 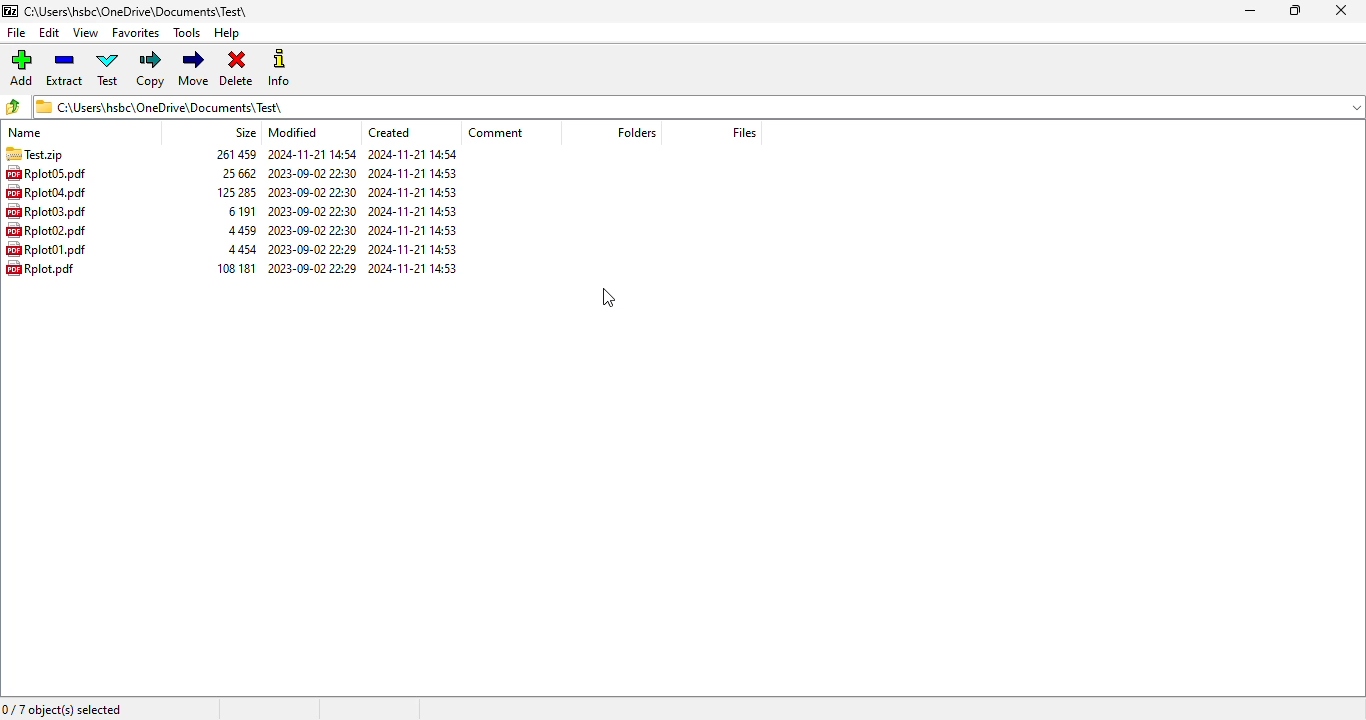 I want to click on created date and time, so click(x=411, y=249).